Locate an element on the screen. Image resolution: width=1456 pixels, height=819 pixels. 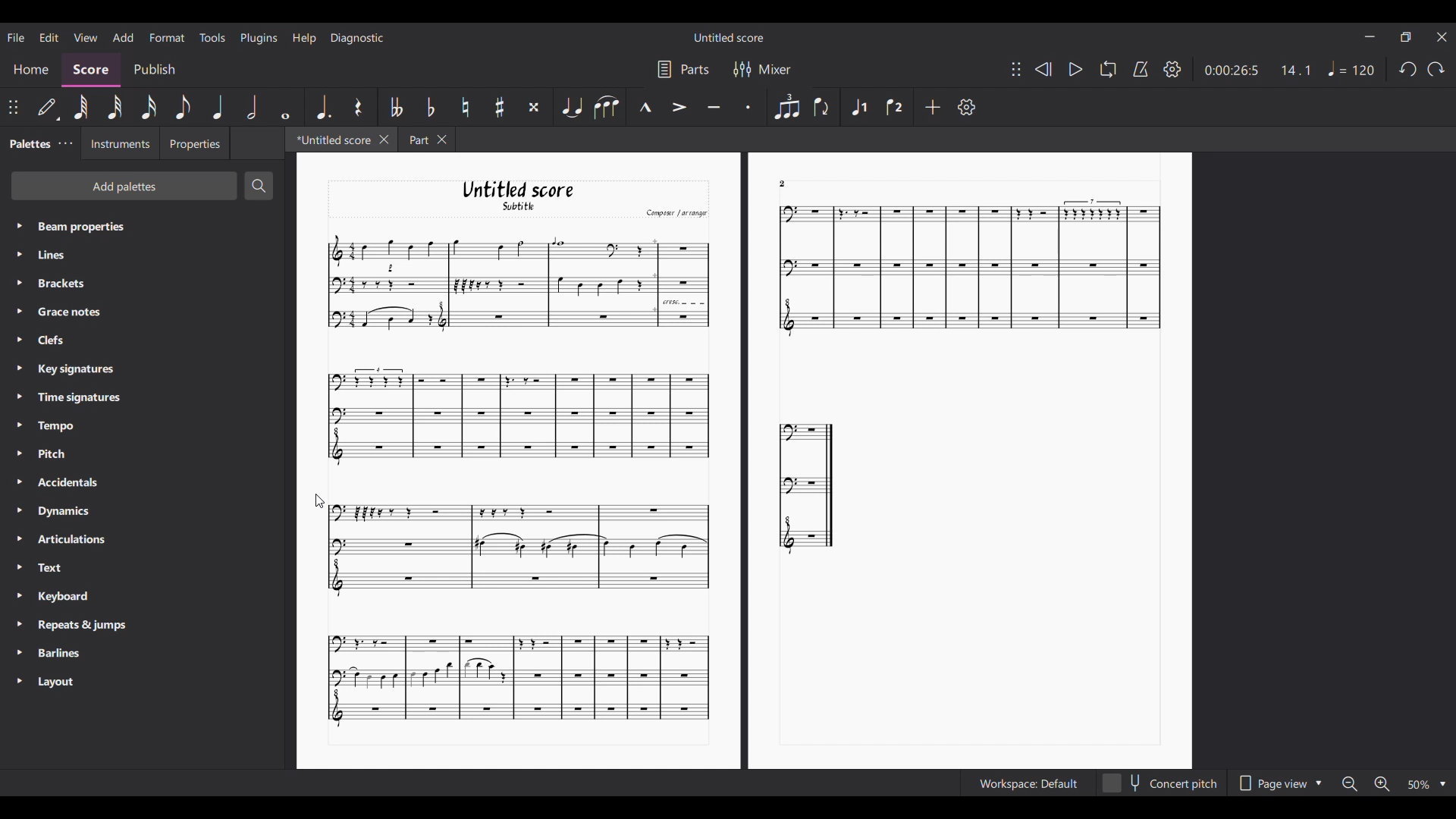
Home  is located at coordinates (30, 71).